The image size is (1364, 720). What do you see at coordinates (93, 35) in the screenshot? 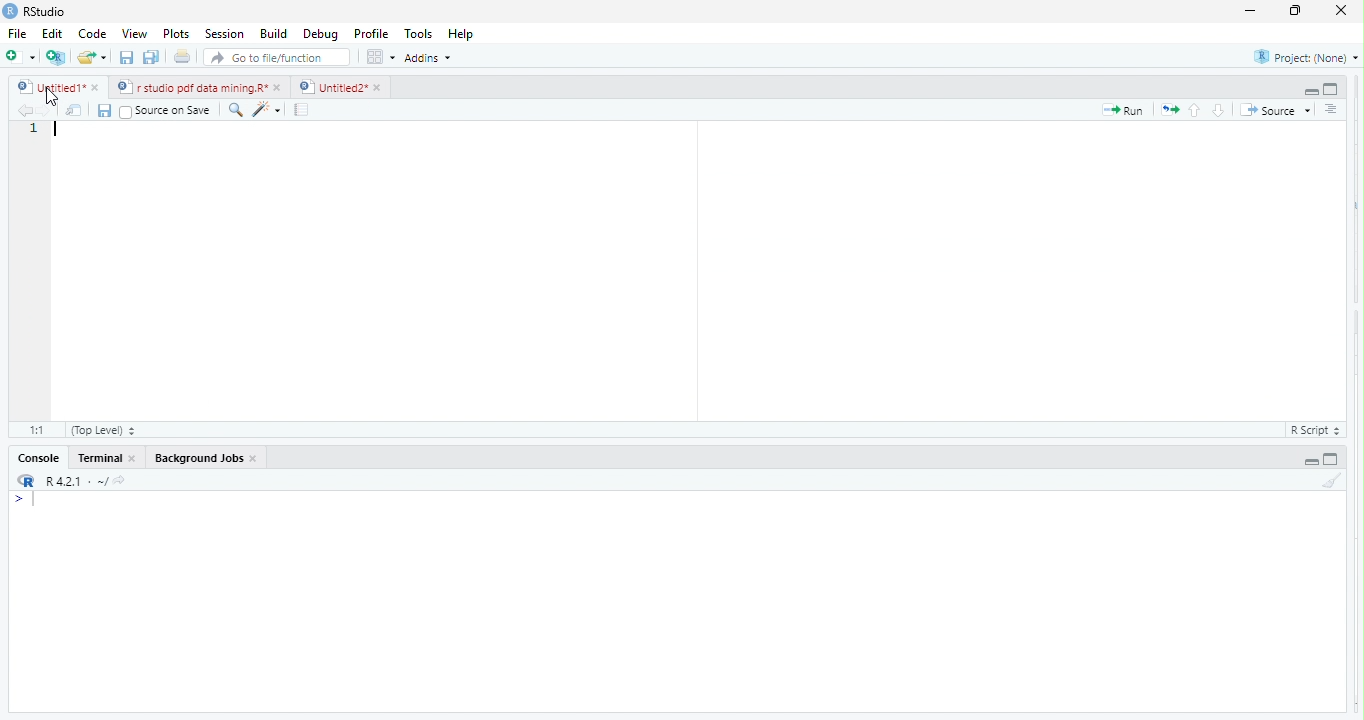
I see `code` at bounding box center [93, 35].